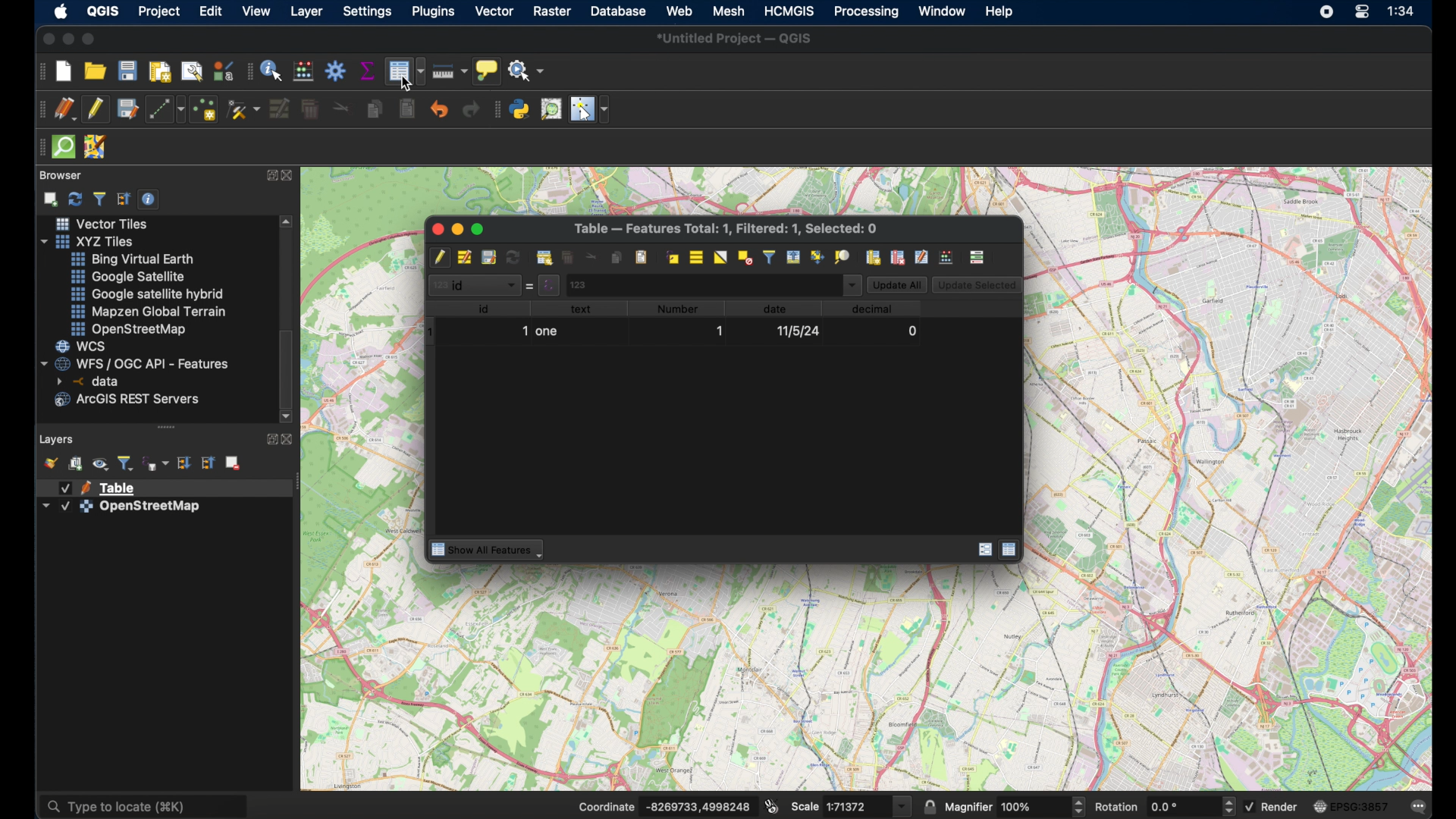 The image size is (1456, 819). Describe the element at coordinates (745, 259) in the screenshot. I see `deselect all features from layer` at that location.